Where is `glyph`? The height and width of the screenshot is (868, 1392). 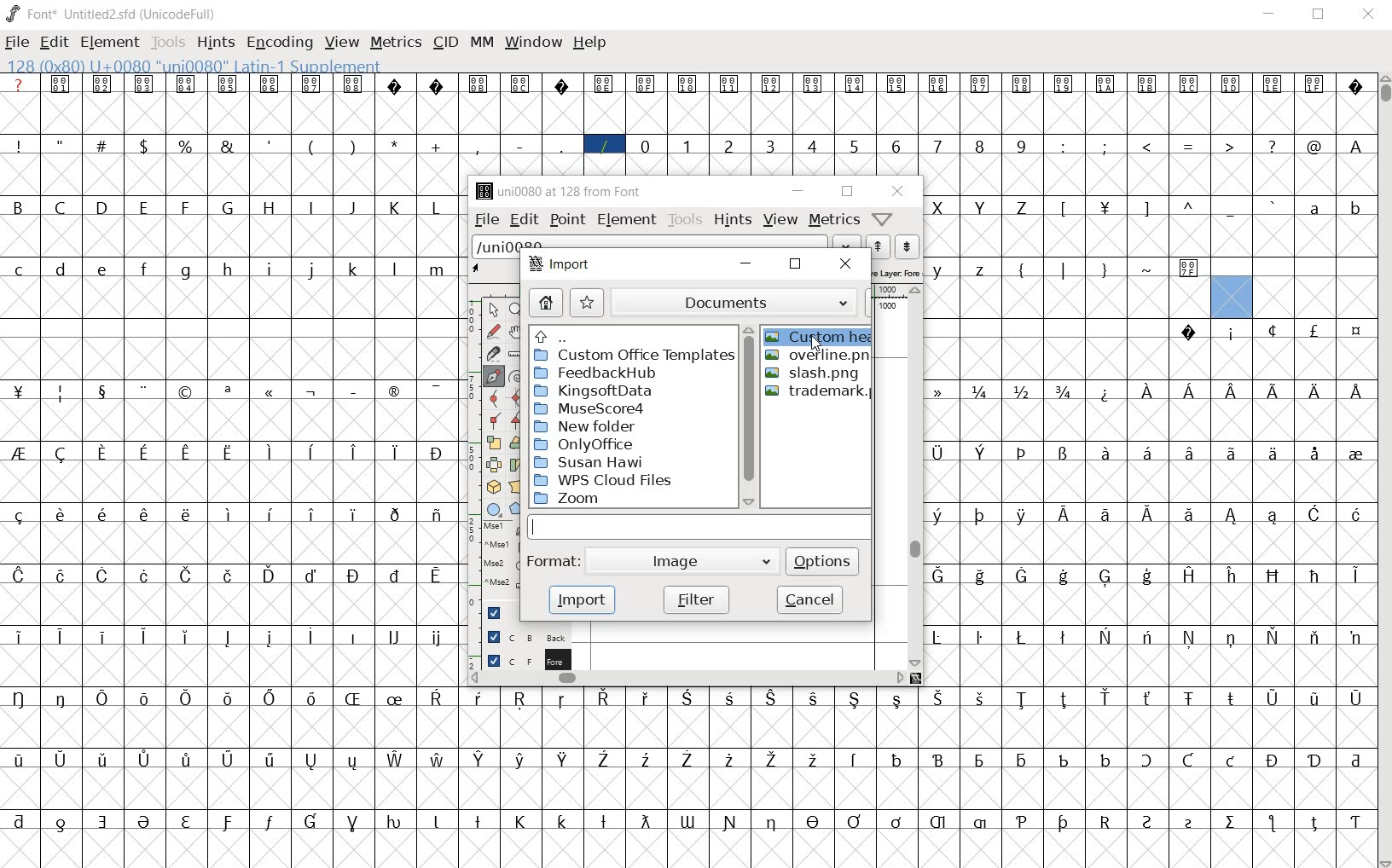 glyph is located at coordinates (1189, 824).